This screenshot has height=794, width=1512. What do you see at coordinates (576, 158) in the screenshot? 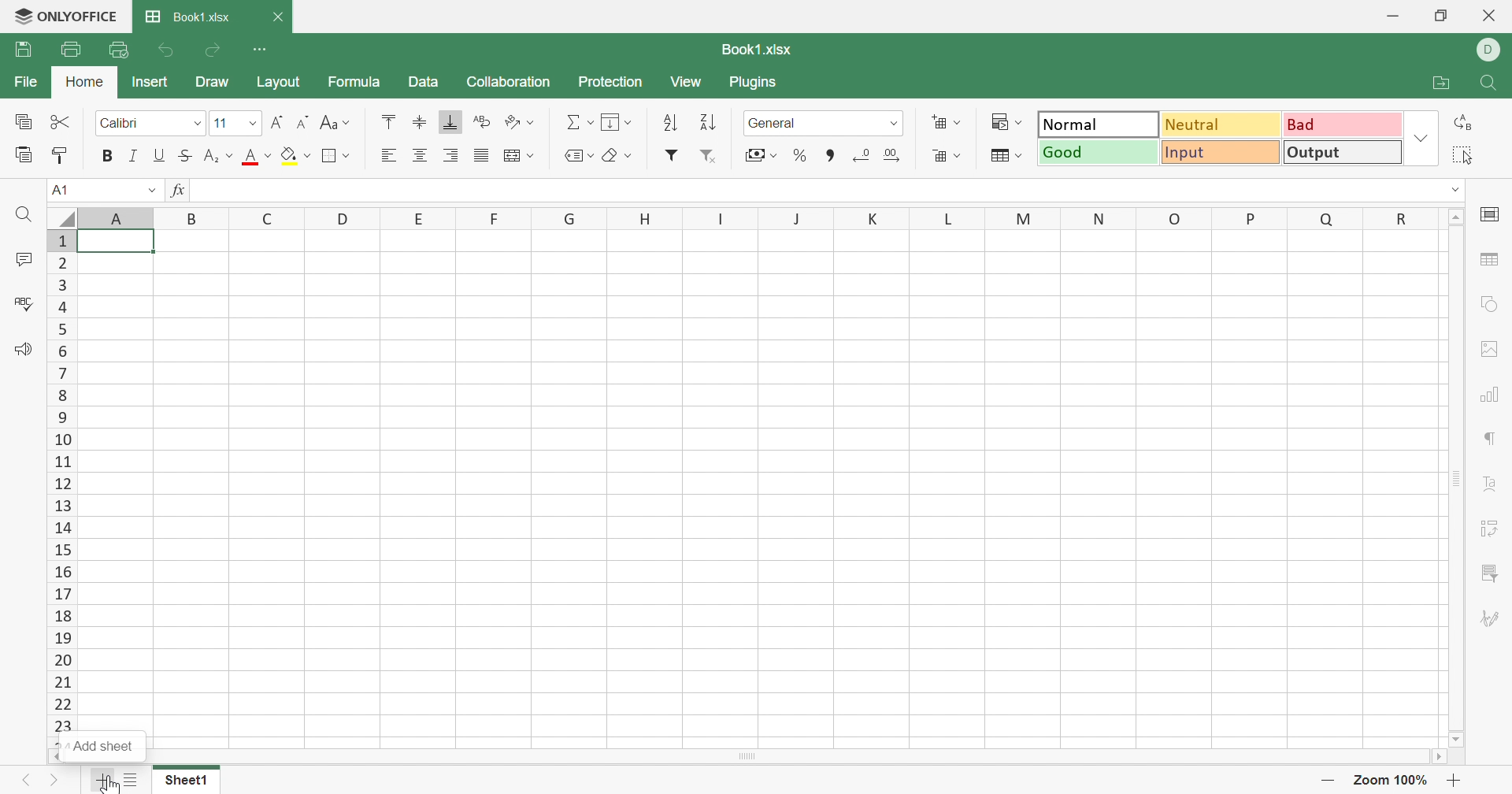
I see `Named range` at bounding box center [576, 158].